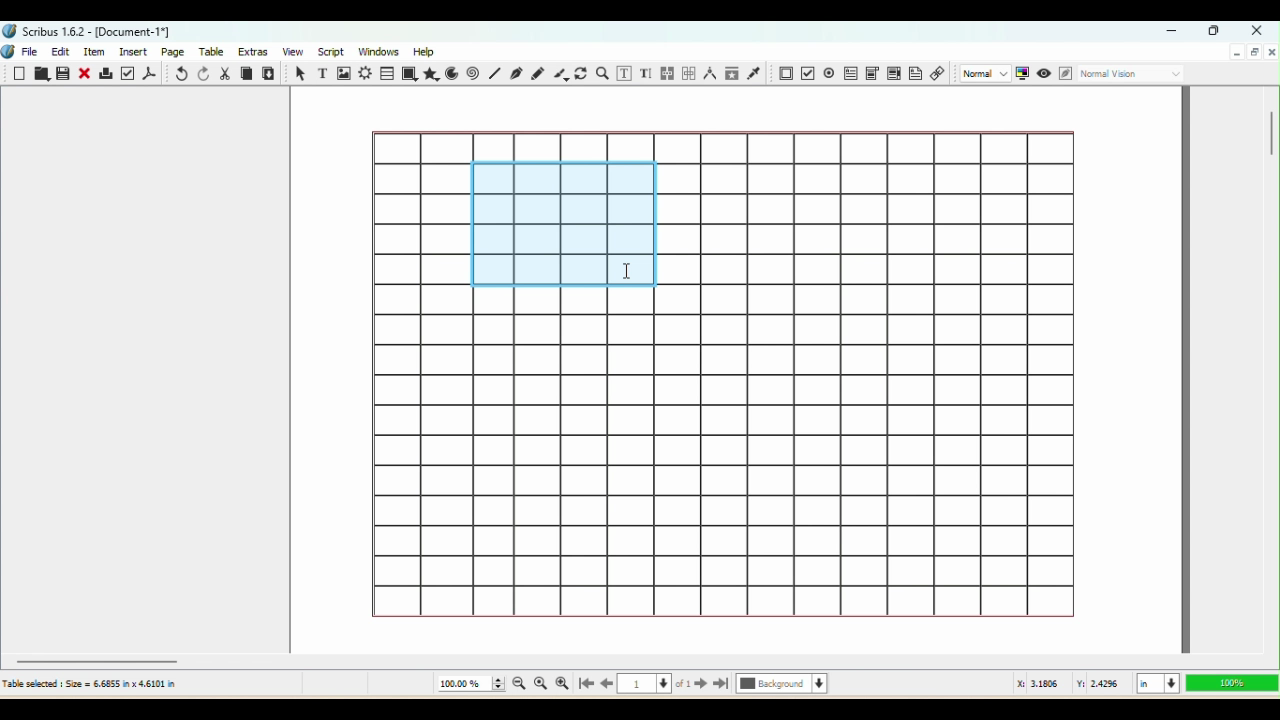 The image size is (1280, 720). What do you see at coordinates (179, 74) in the screenshot?
I see `Undo` at bounding box center [179, 74].